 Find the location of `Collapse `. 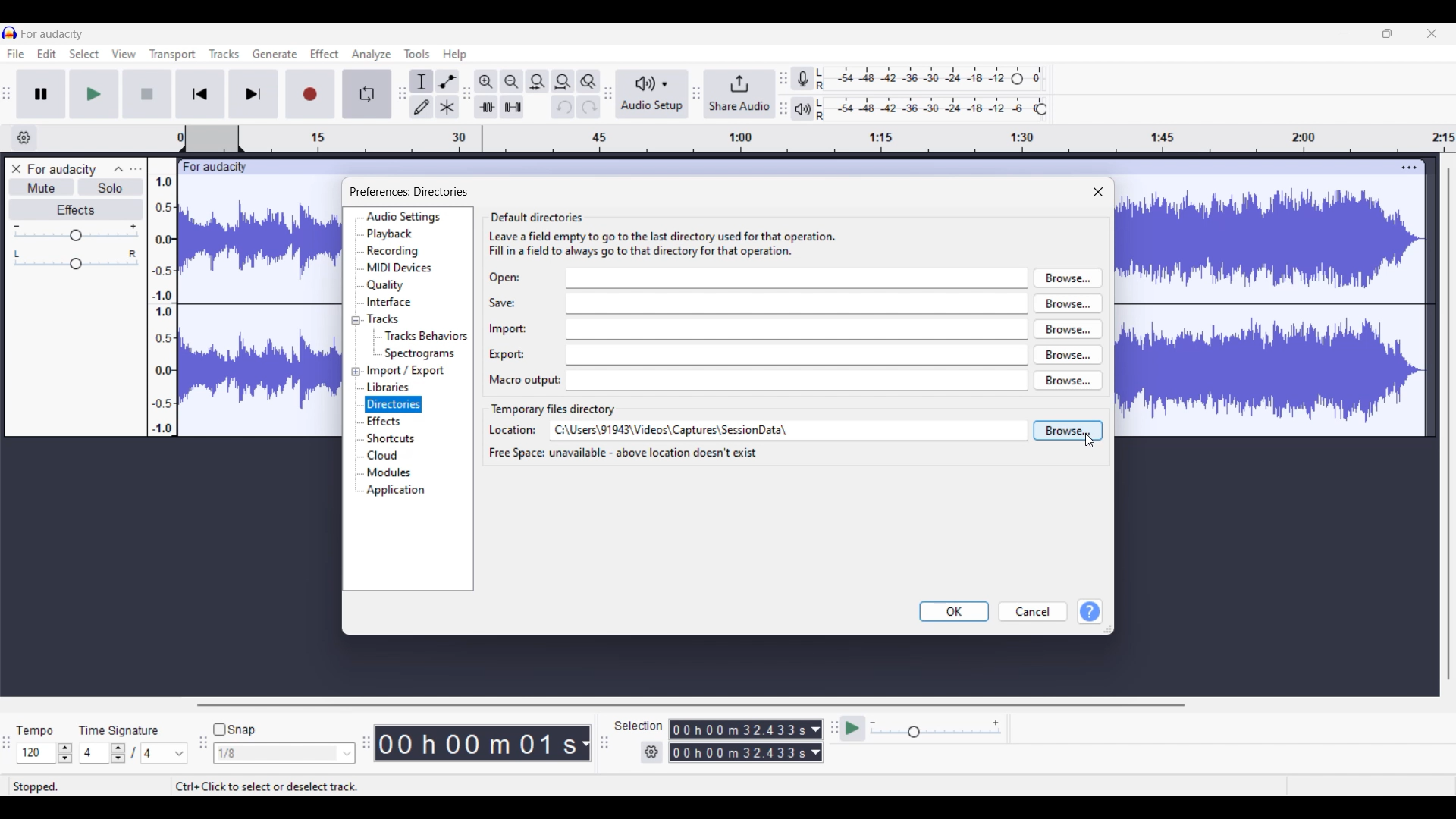

Collapse  is located at coordinates (118, 170).